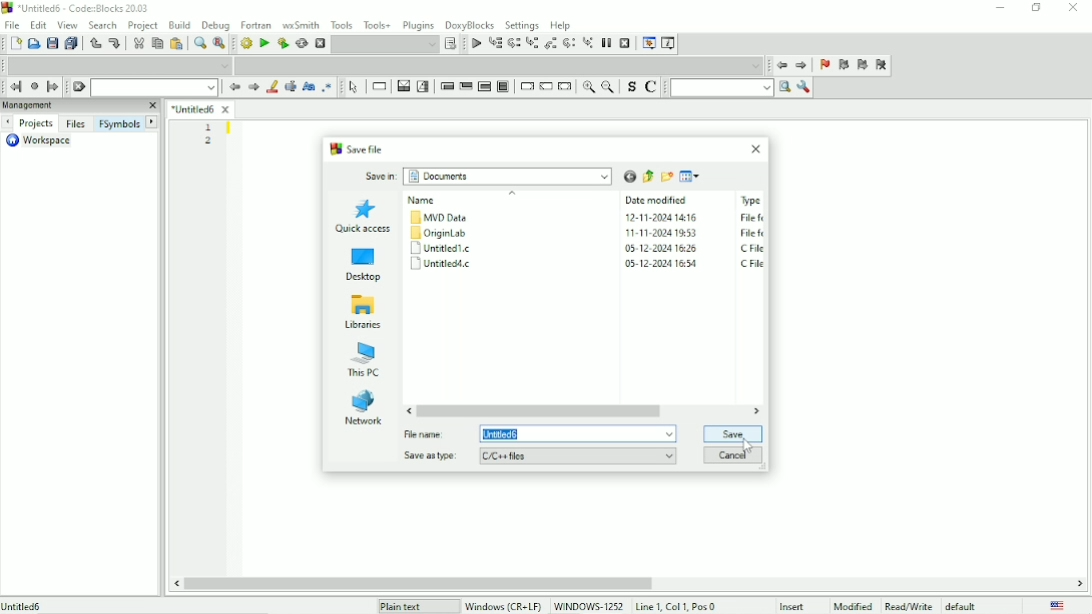  What do you see at coordinates (541, 410) in the screenshot?
I see `Horizontal scrollbar` at bounding box center [541, 410].